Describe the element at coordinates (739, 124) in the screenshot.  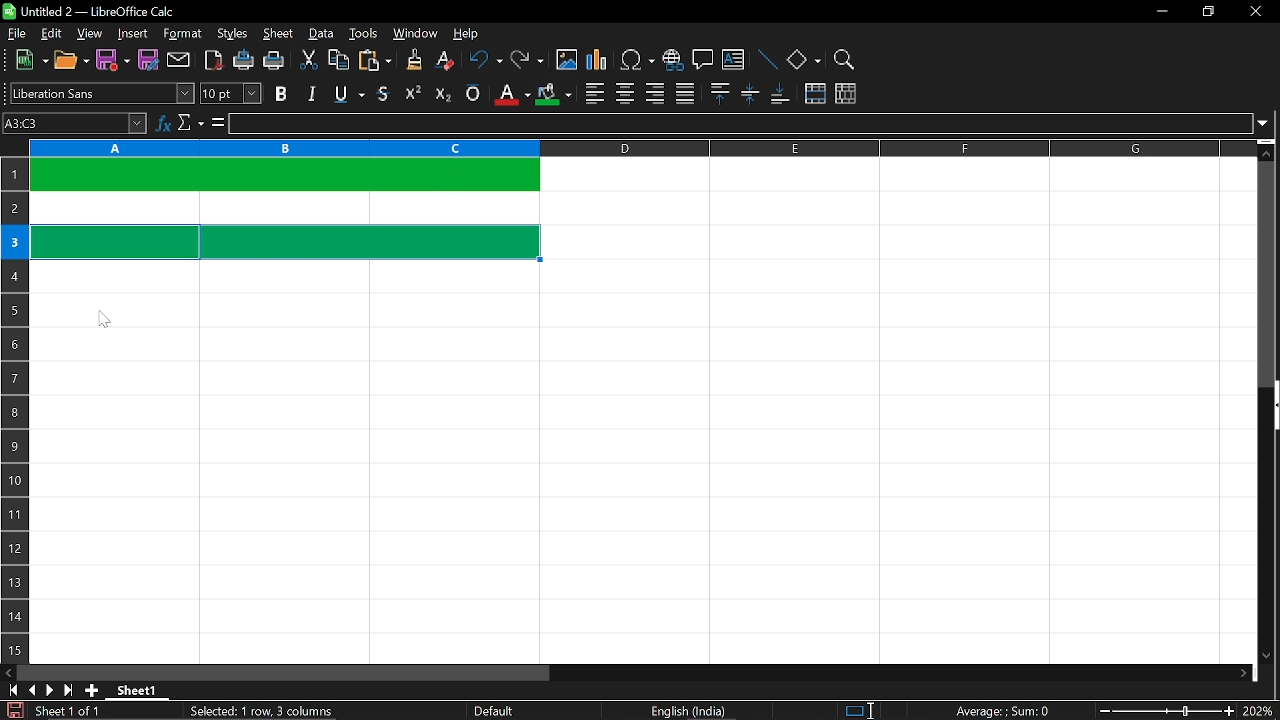
I see `input line` at that location.